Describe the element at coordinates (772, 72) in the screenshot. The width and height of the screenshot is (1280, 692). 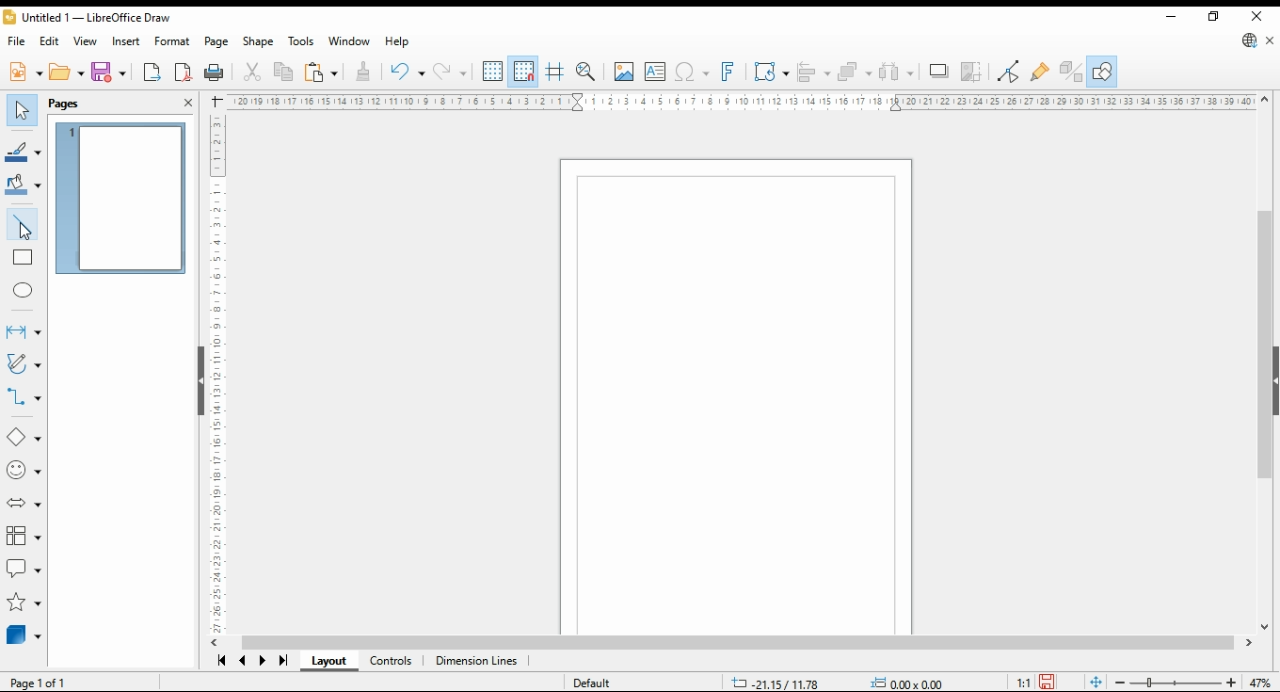
I see `transformations` at that location.